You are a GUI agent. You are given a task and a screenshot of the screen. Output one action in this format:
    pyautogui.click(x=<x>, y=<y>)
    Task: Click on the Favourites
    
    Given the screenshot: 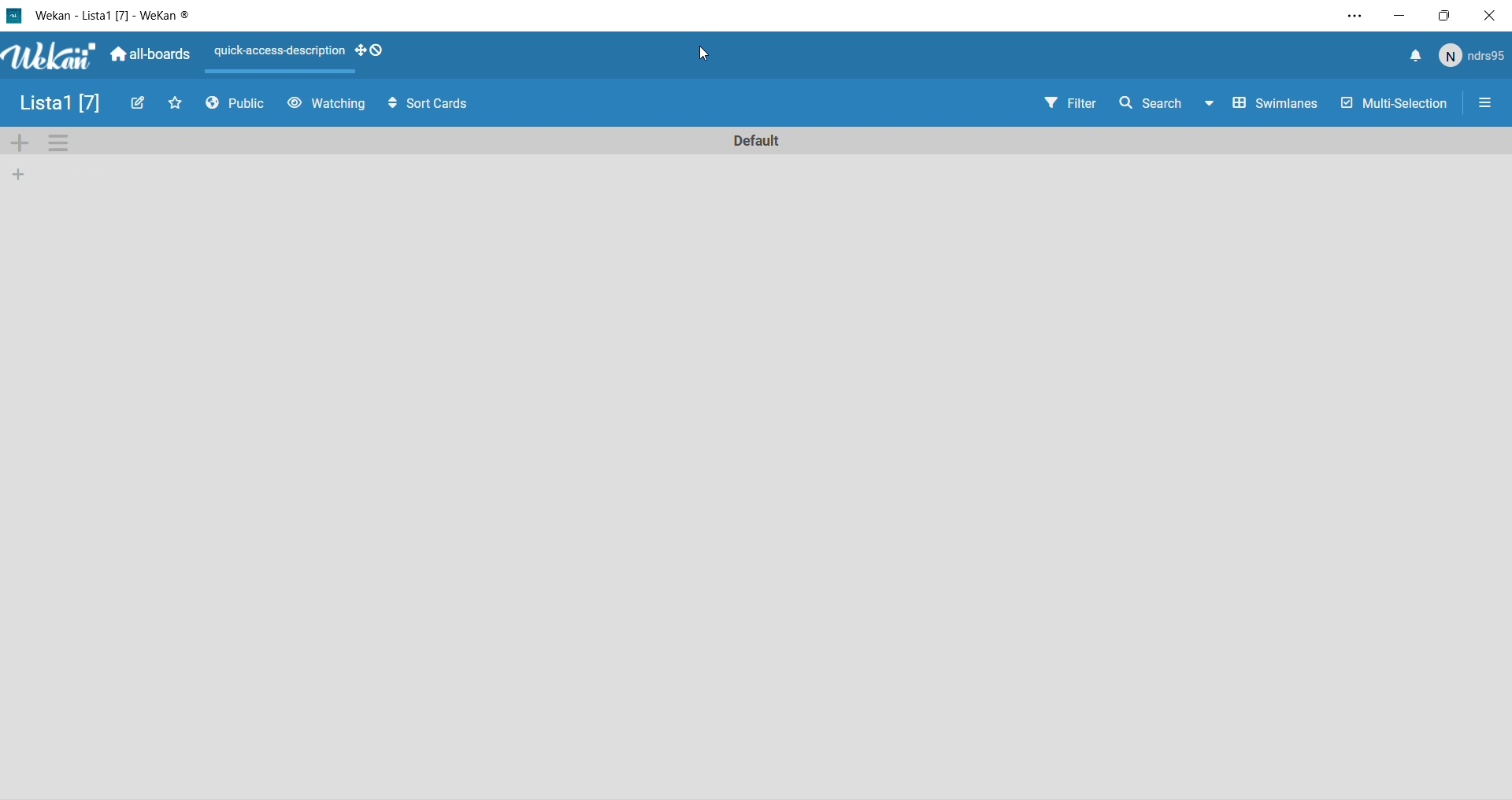 What is the action you would take?
    pyautogui.click(x=175, y=106)
    